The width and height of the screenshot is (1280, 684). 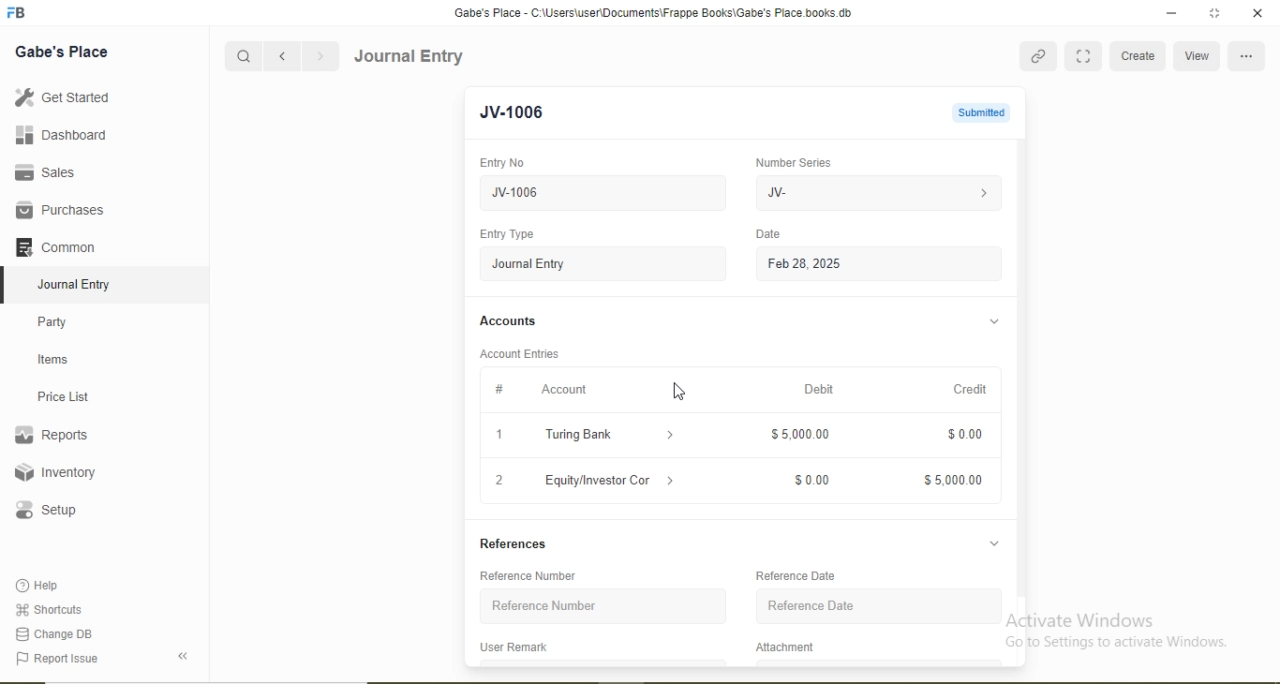 What do you see at coordinates (1259, 13) in the screenshot?
I see `close` at bounding box center [1259, 13].